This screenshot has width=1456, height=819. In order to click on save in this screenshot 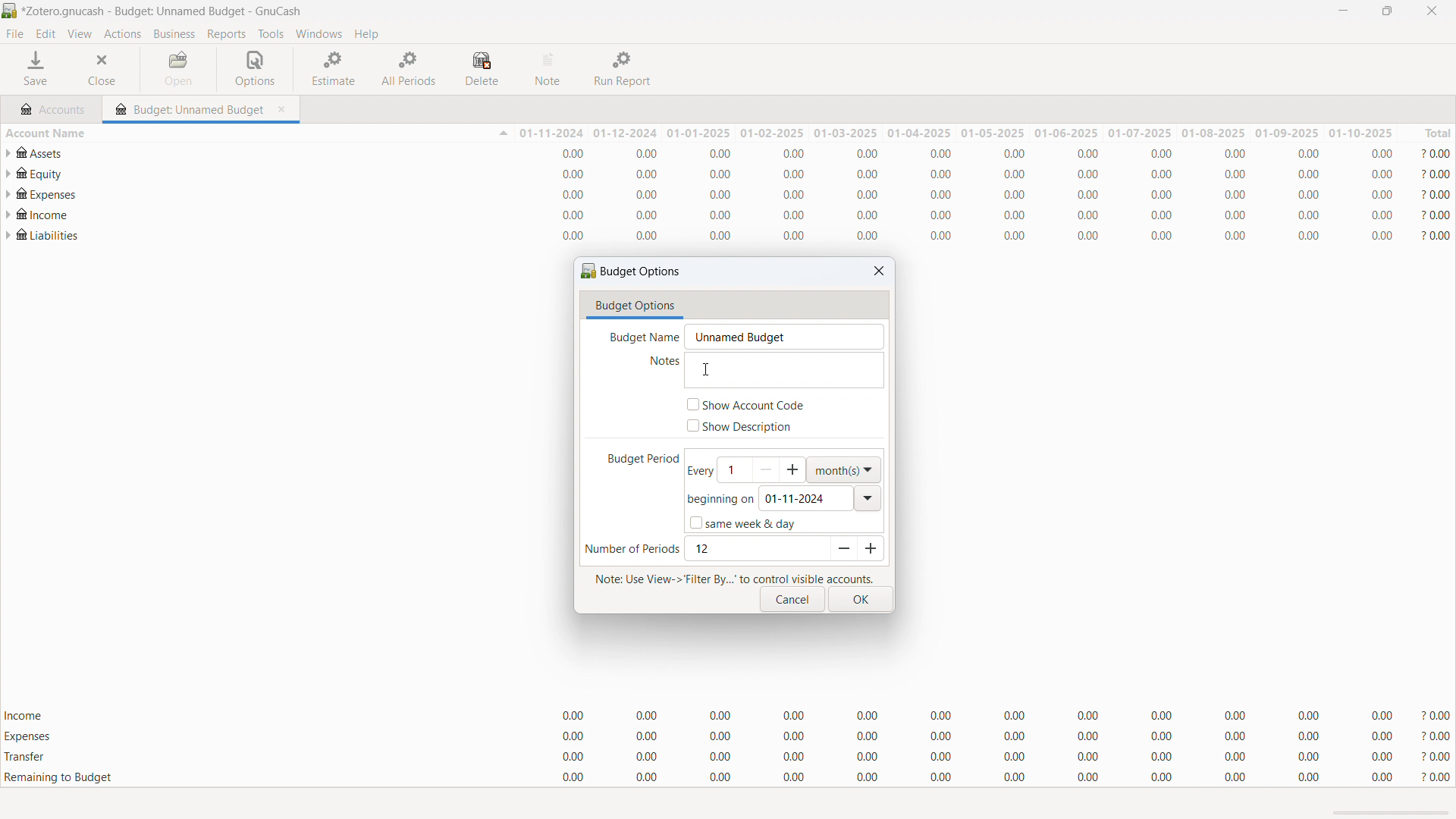, I will do `click(37, 69)`.